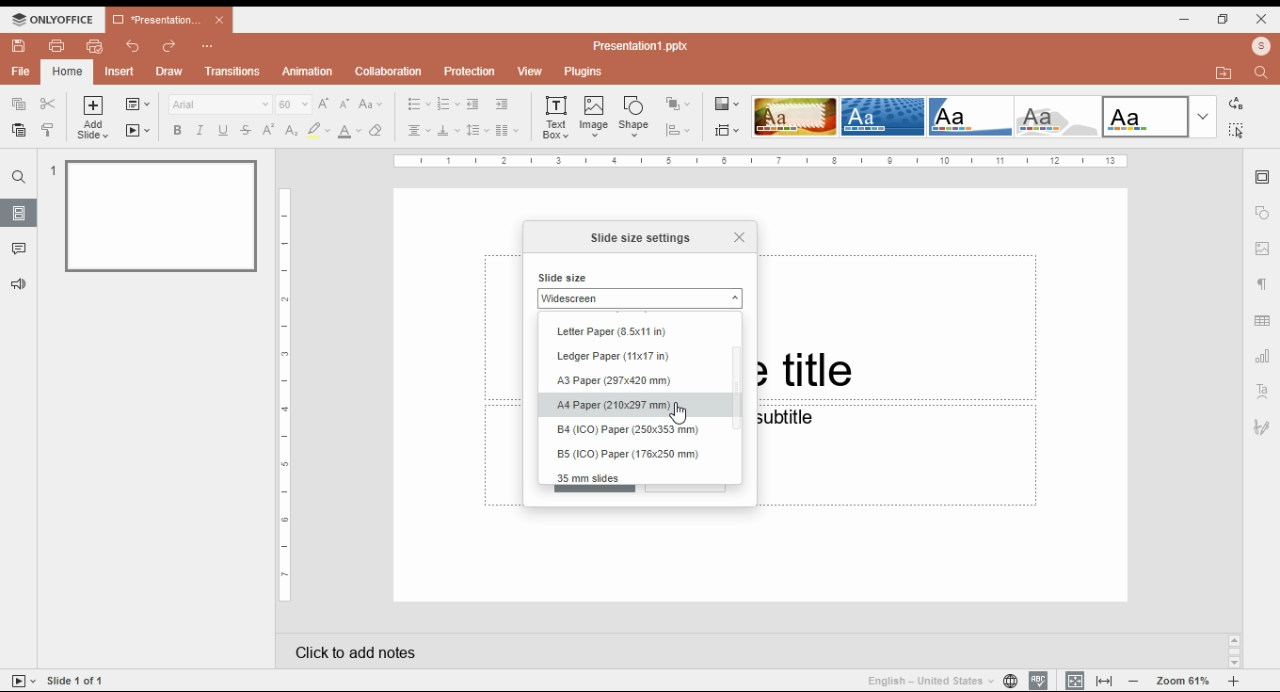 This screenshot has height=692, width=1280. I want to click on increase indent, so click(501, 104).